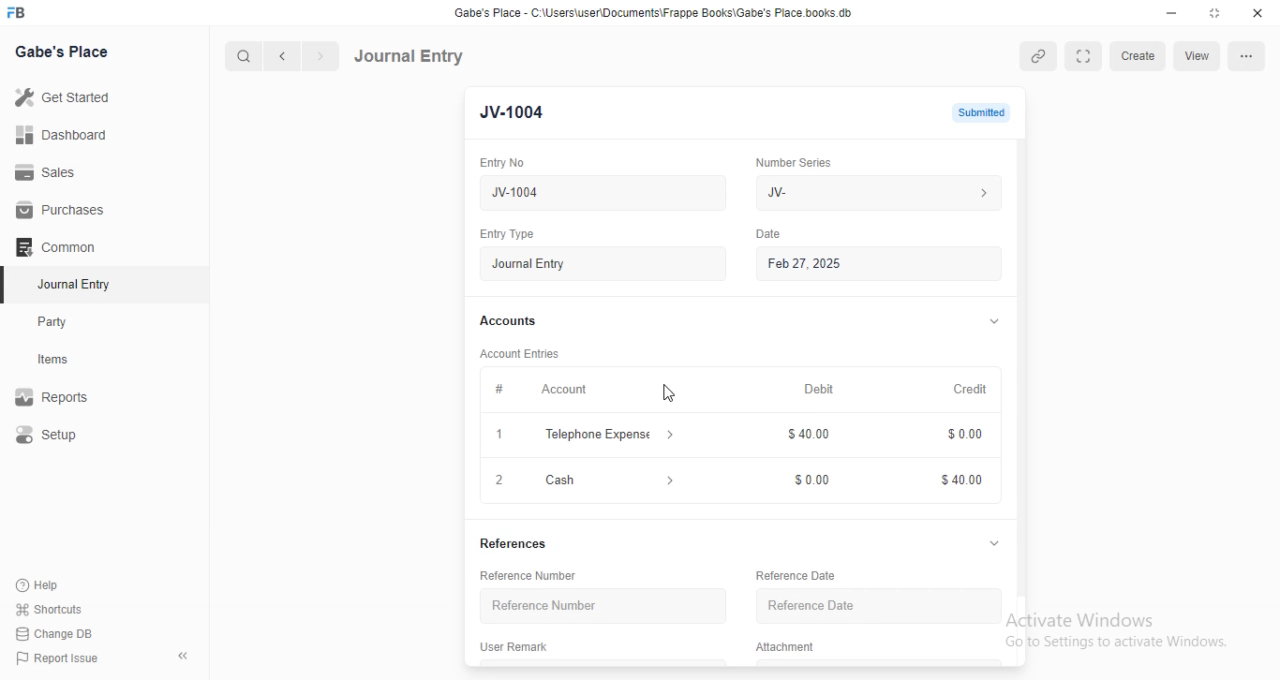 This screenshot has height=680, width=1280. What do you see at coordinates (19, 11) in the screenshot?
I see `FB` at bounding box center [19, 11].